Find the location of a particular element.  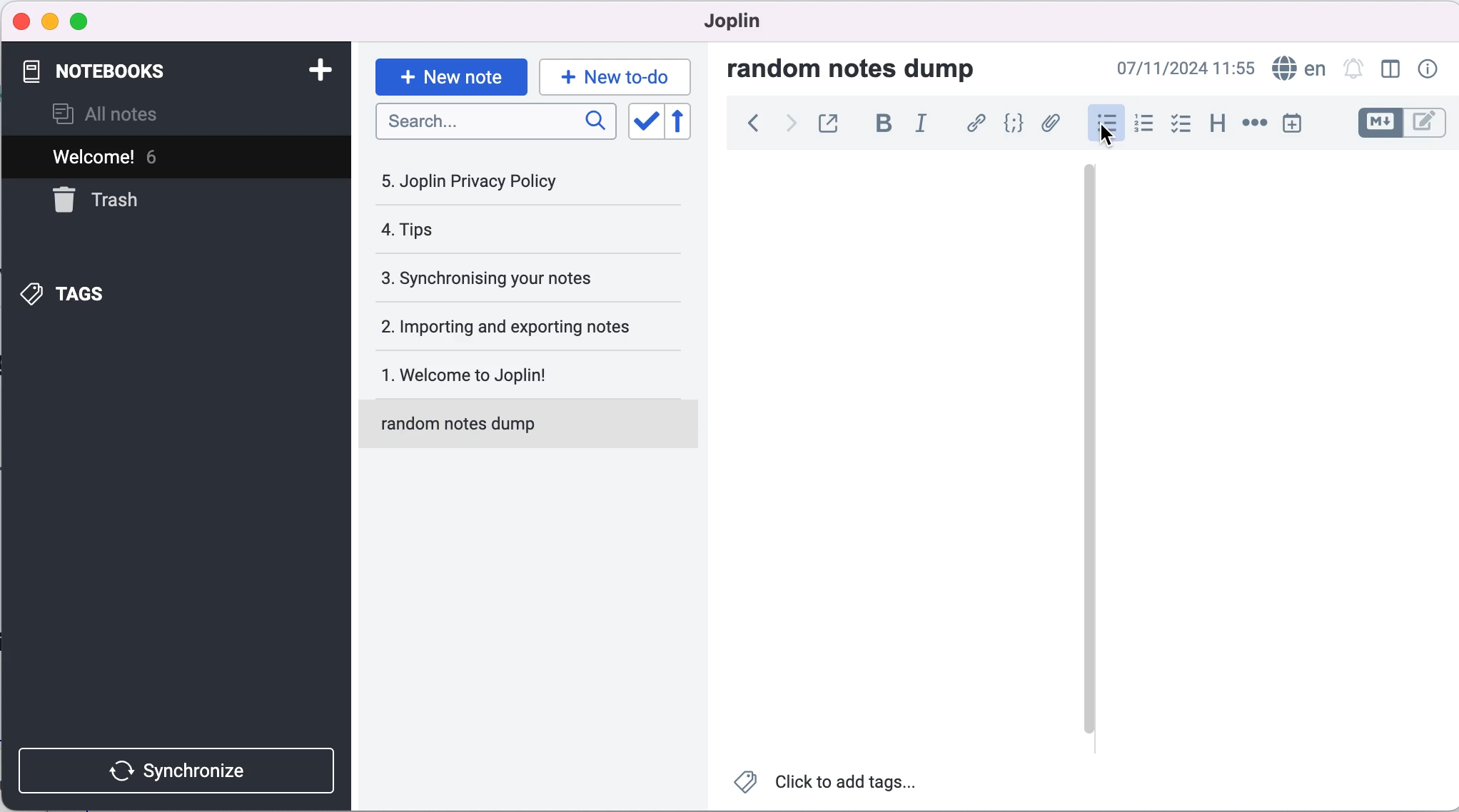

random notes dump is located at coordinates (865, 68).